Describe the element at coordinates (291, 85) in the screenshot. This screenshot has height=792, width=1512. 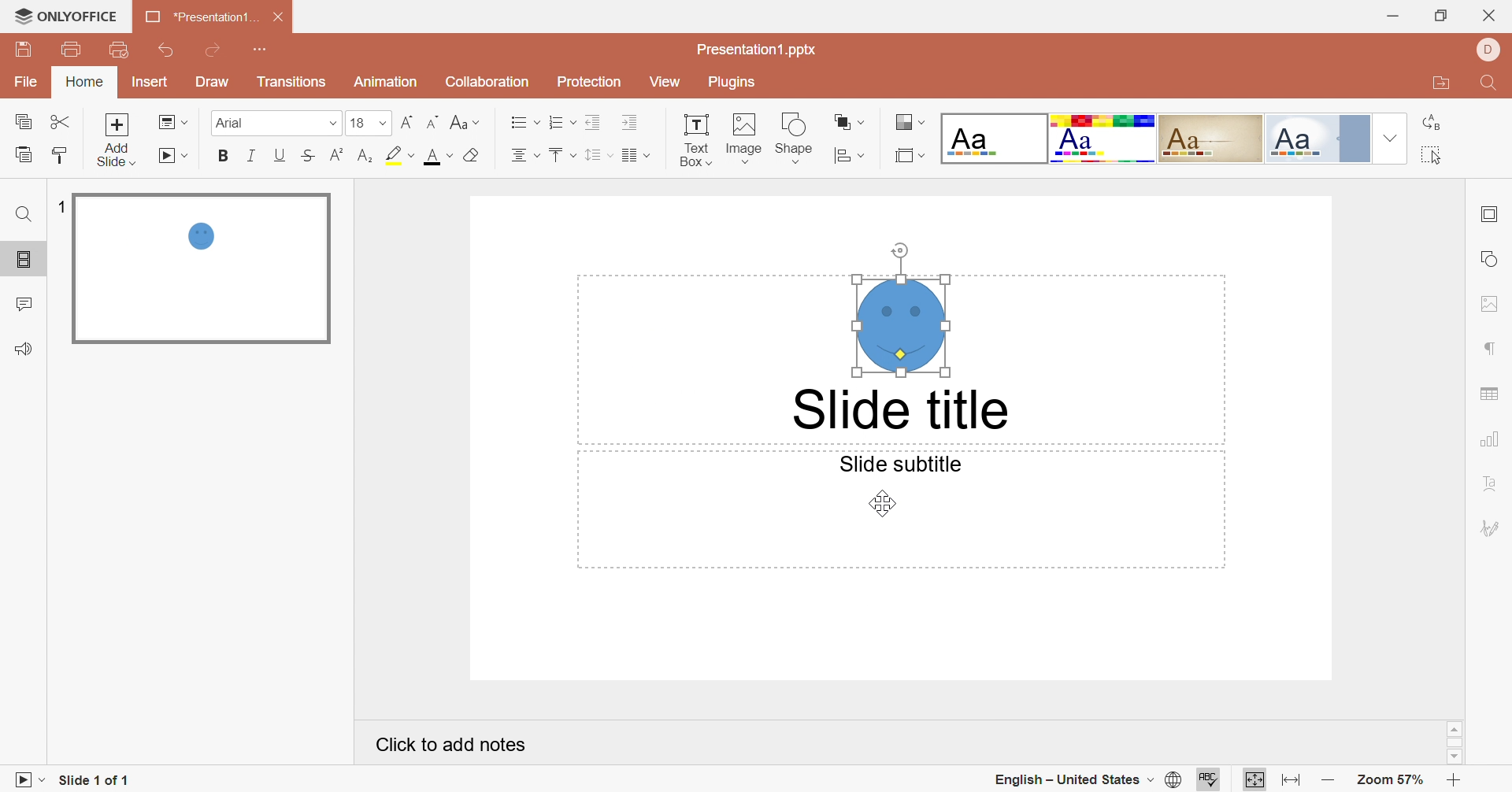
I see `Transitions` at that location.